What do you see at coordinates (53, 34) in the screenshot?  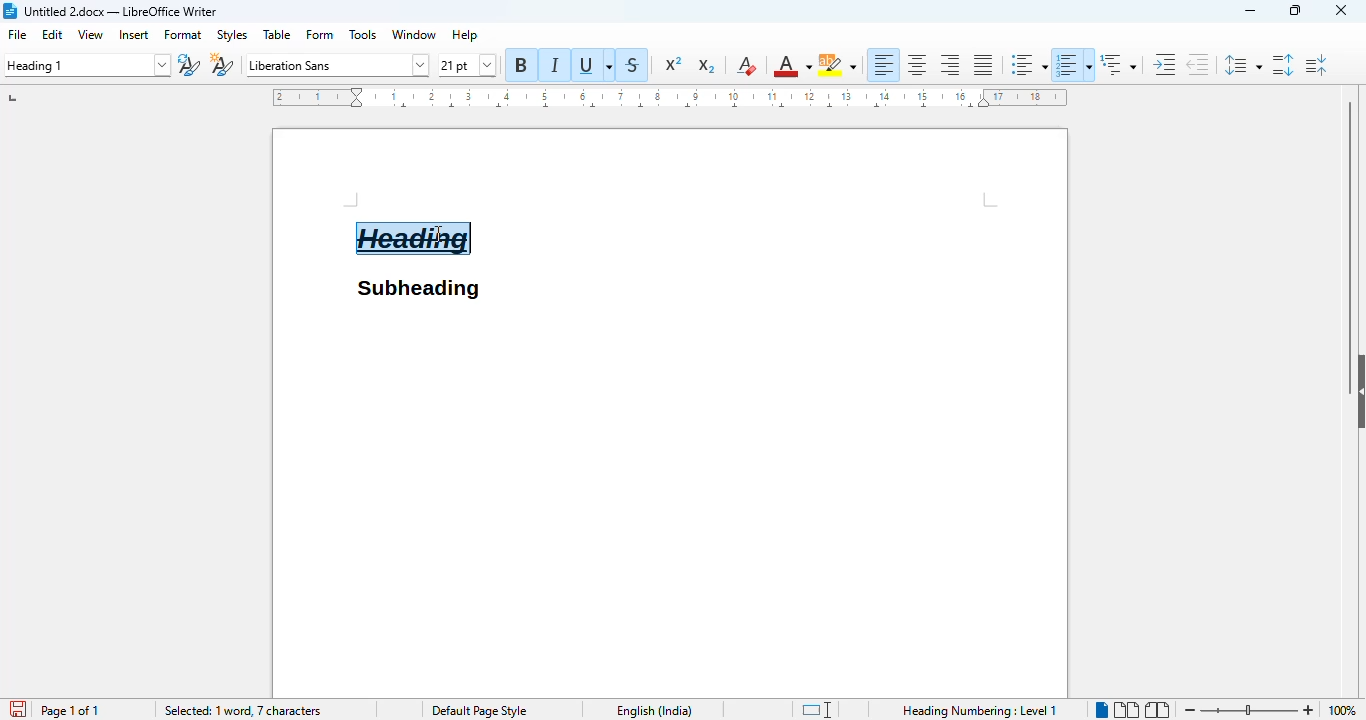 I see `edit` at bounding box center [53, 34].